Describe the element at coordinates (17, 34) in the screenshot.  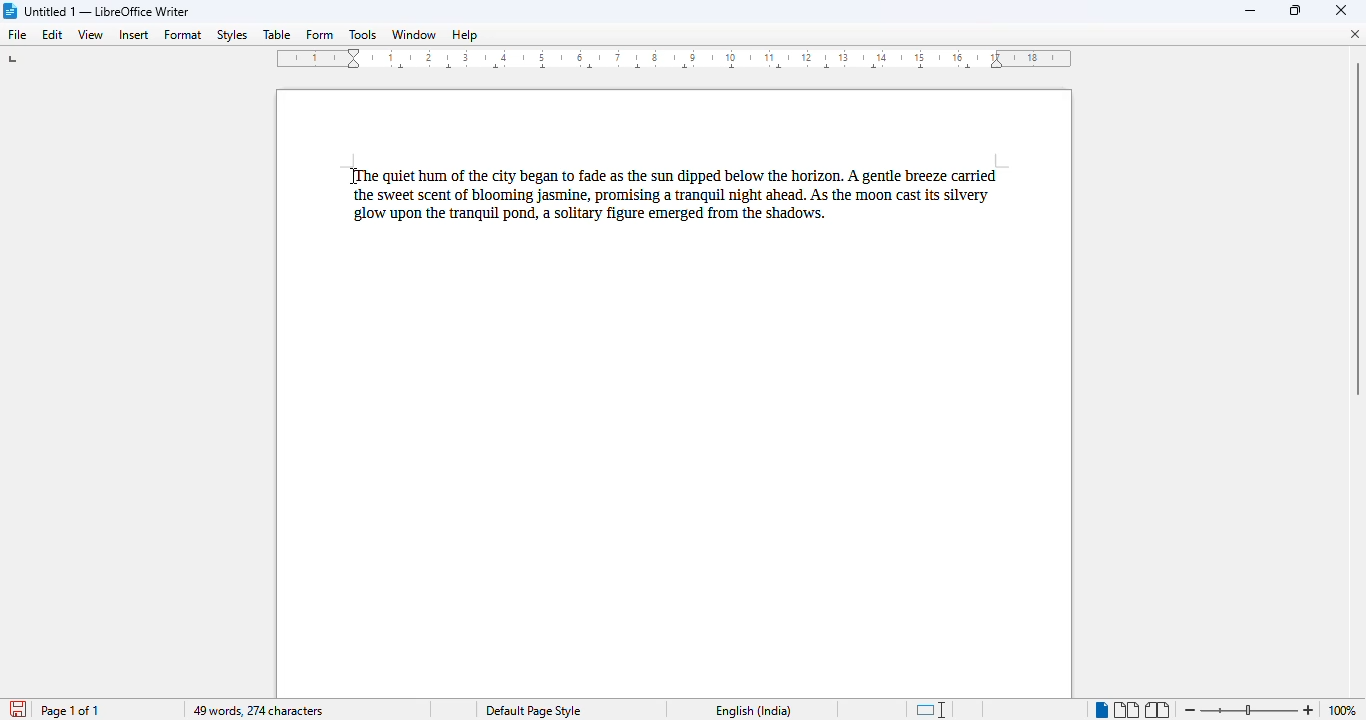
I see `file` at that location.